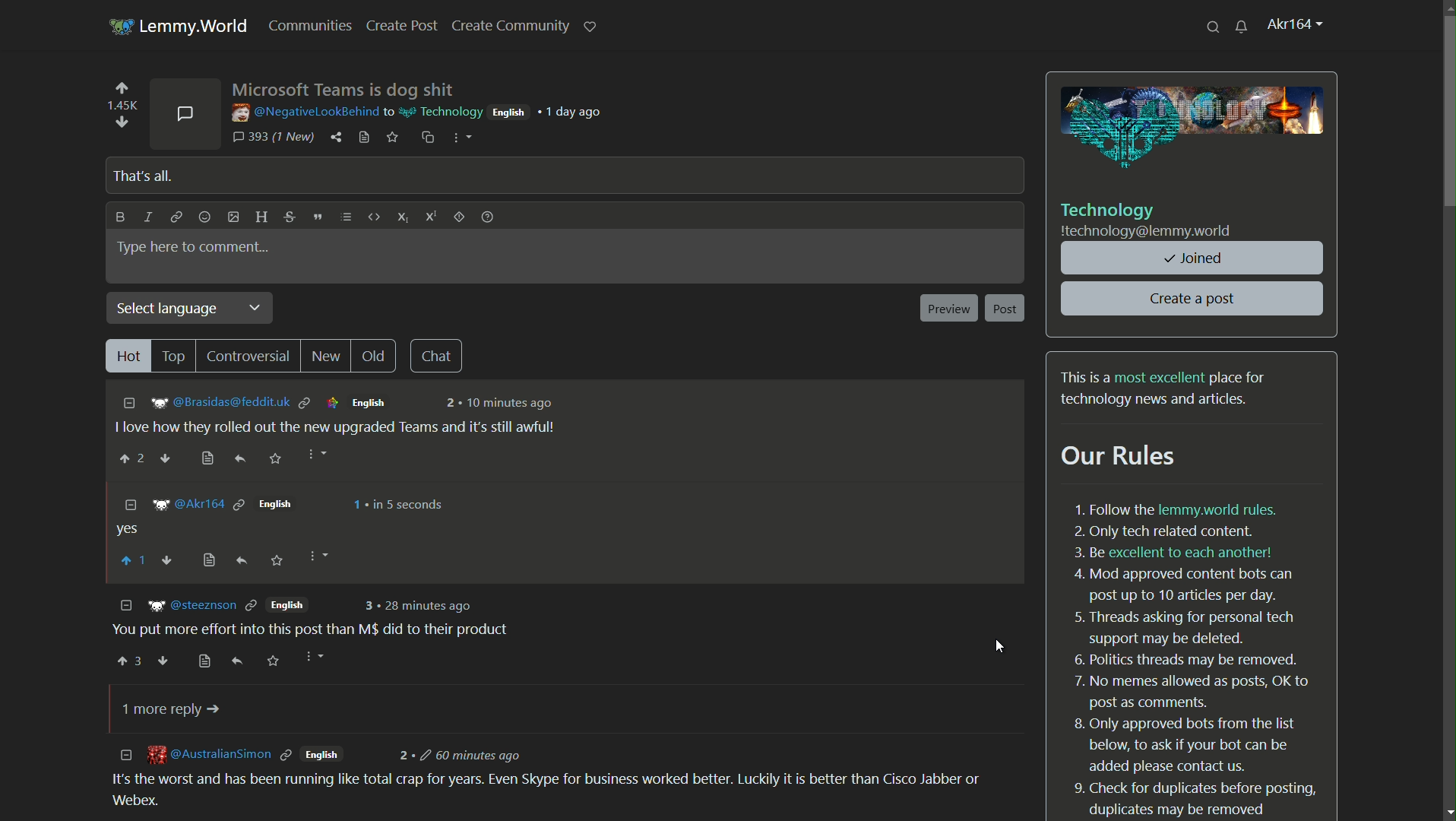 Image resolution: width=1456 pixels, height=821 pixels. What do you see at coordinates (404, 26) in the screenshot?
I see `create post` at bounding box center [404, 26].